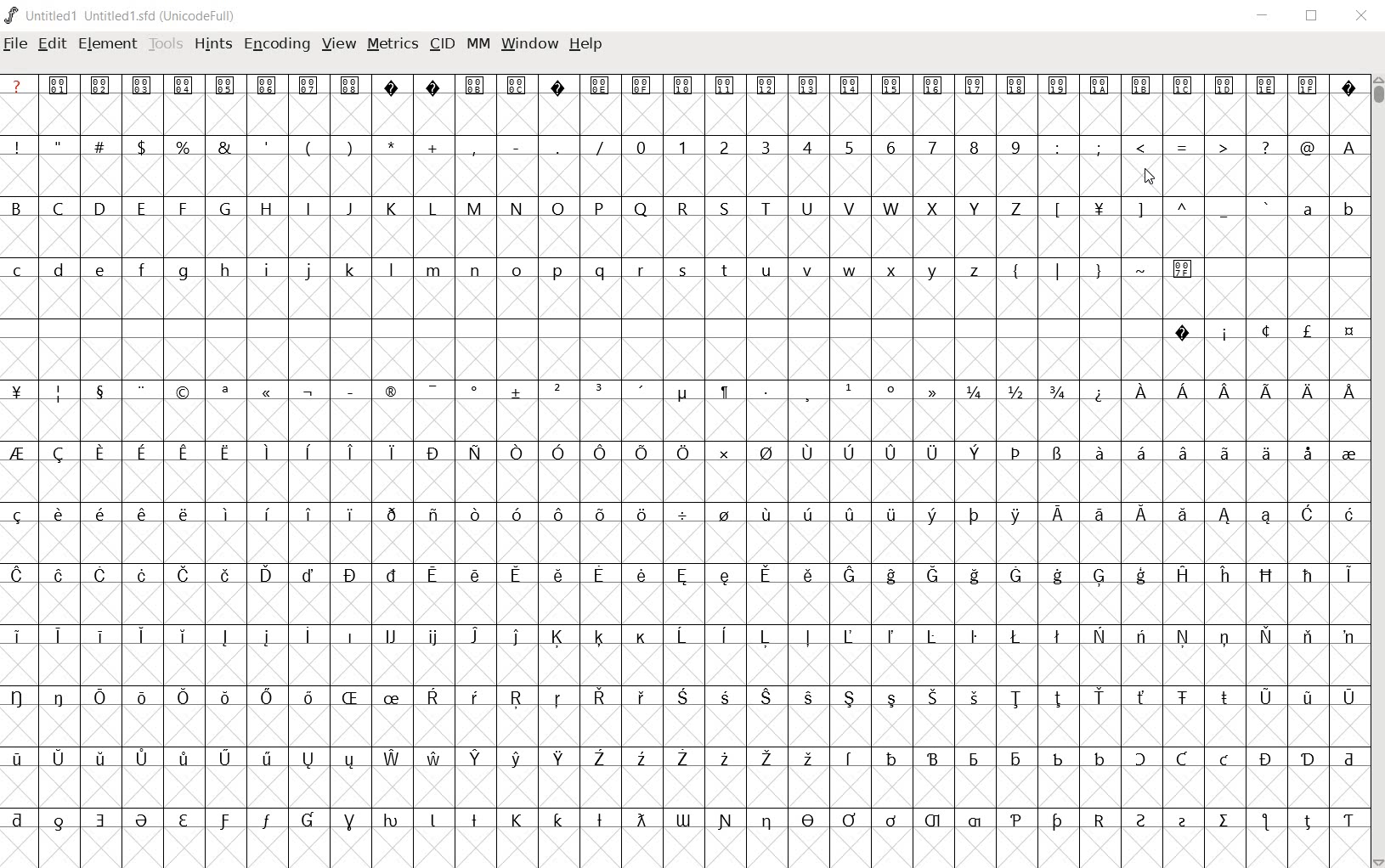 This screenshot has height=868, width=1385. I want to click on Capilal letters B - Z, so click(520, 208).